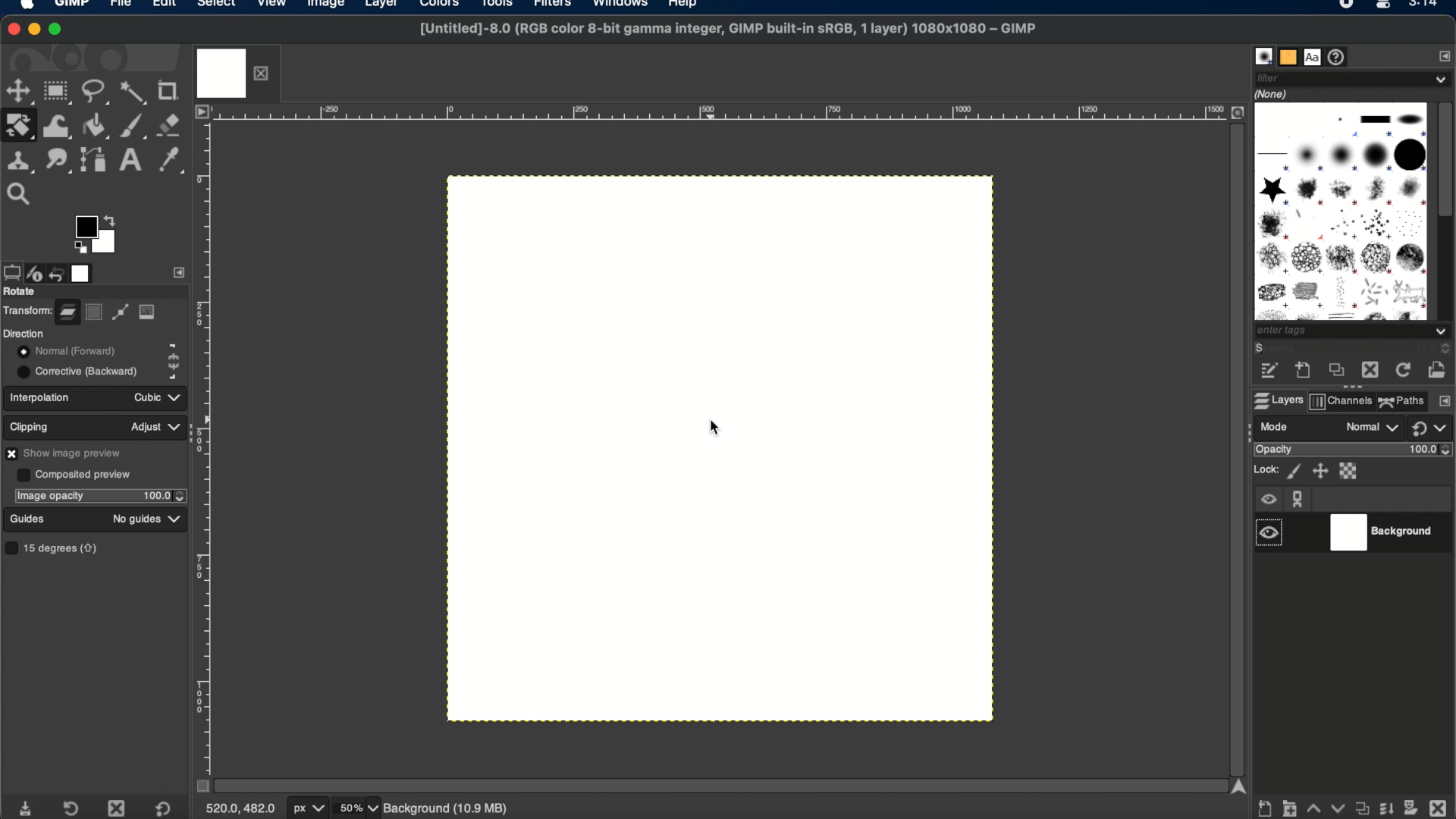 This screenshot has width=1456, height=819. What do you see at coordinates (180, 271) in the screenshot?
I see `side bar settings` at bounding box center [180, 271].